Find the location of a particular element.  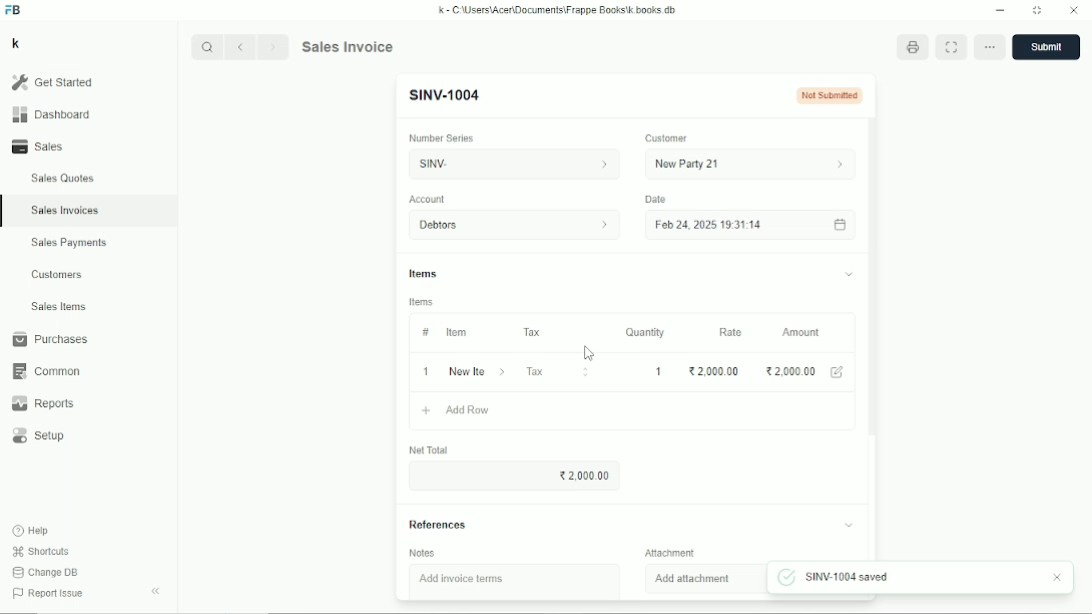

Submit is located at coordinates (1046, 47).